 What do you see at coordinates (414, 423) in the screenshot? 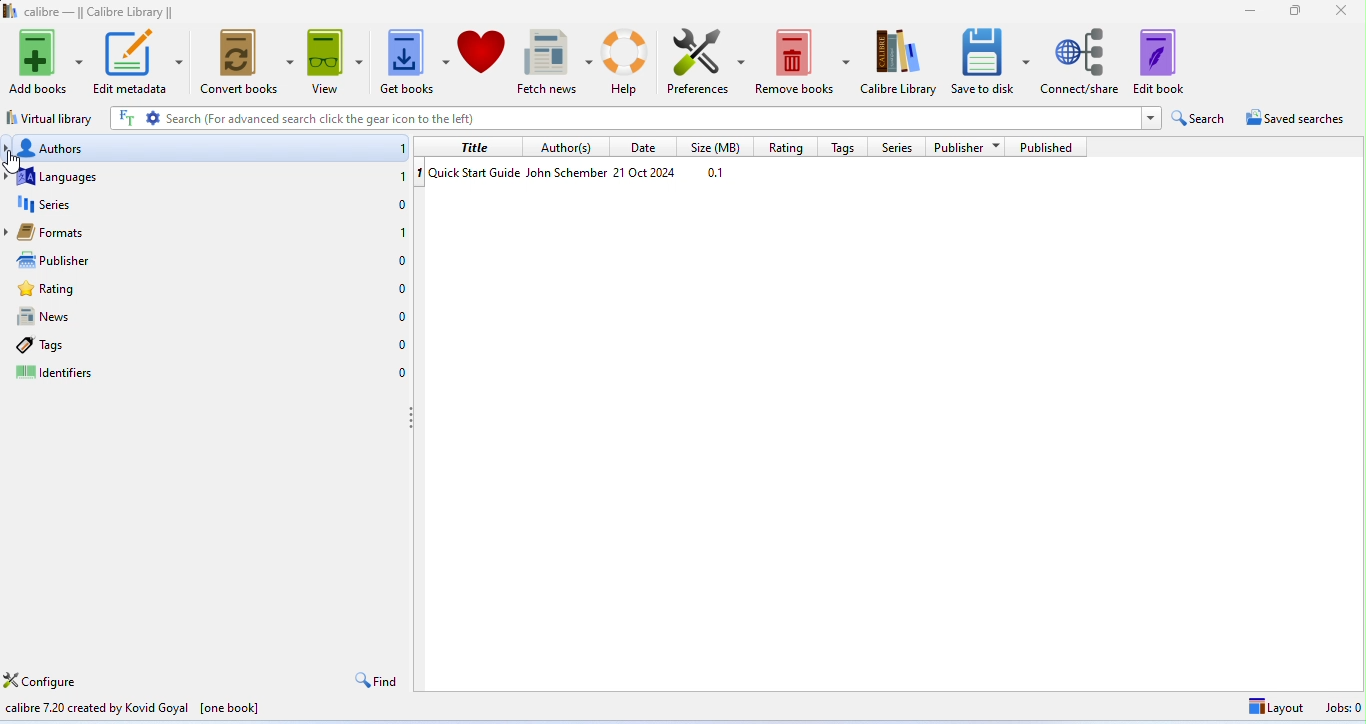
I see `drag to move left panel` at bounding box center [414, 423].